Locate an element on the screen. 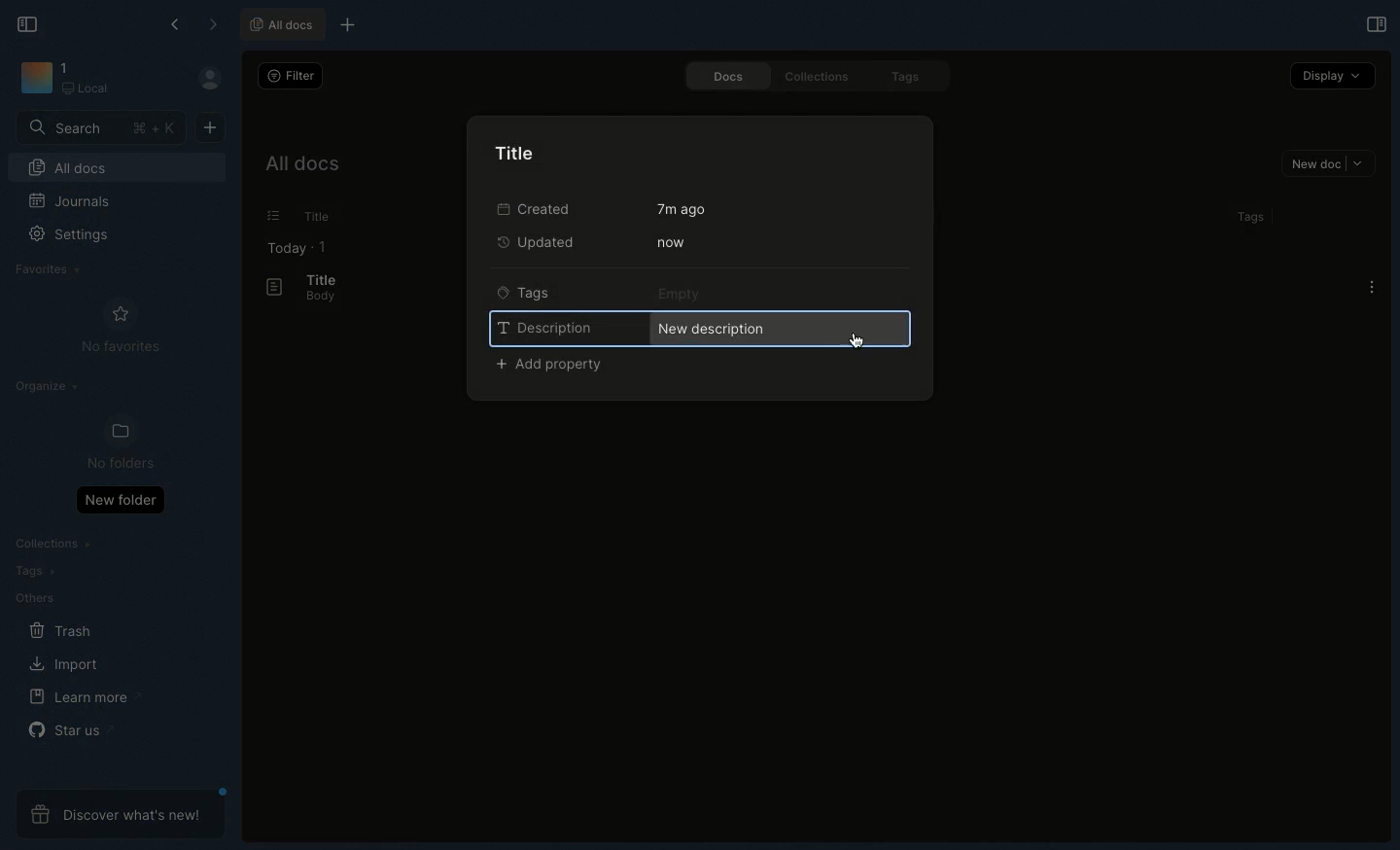 The height and width of the screenshot is (850, 1400). Icon is located at coordinates (35, 79).